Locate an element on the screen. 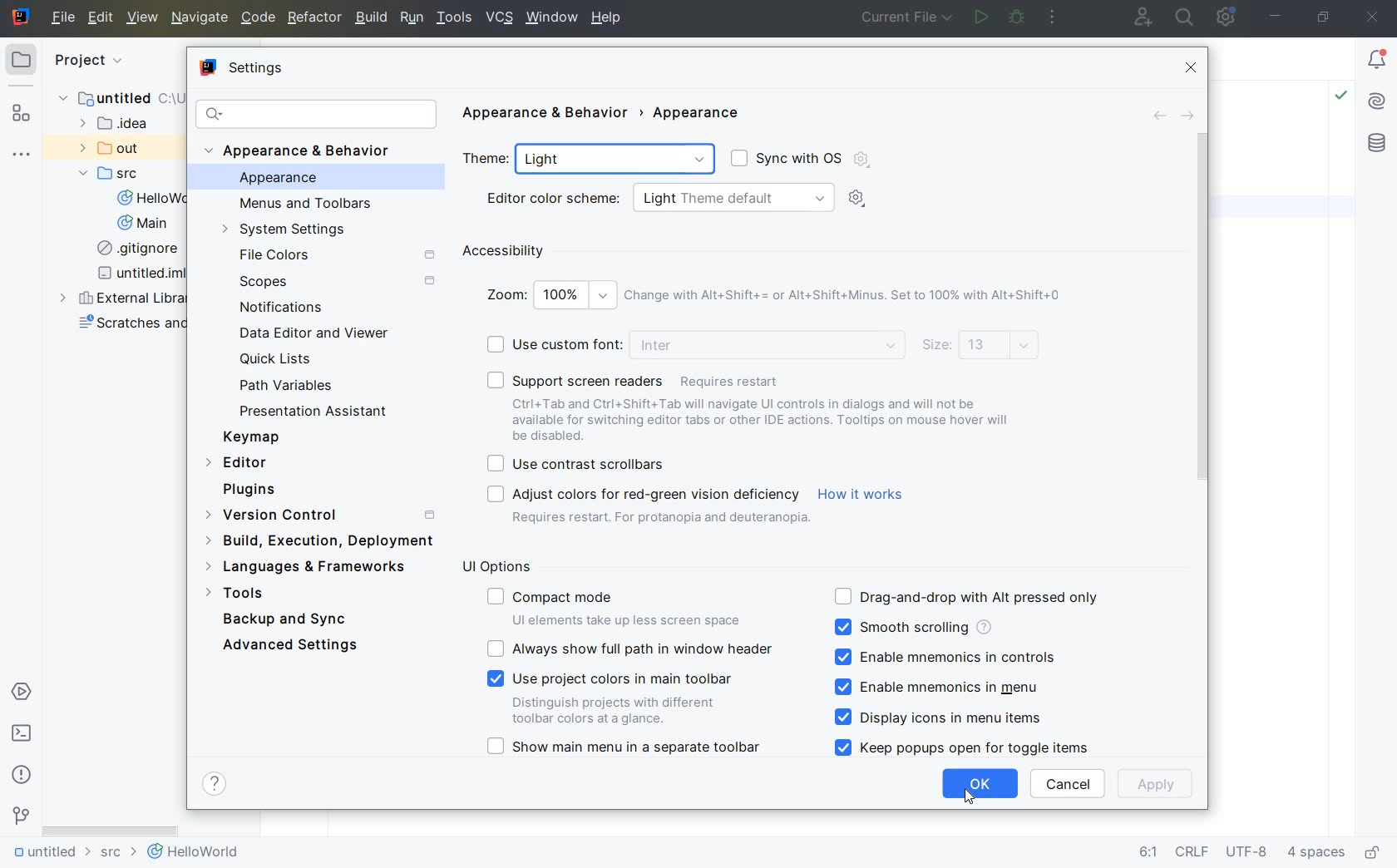 This screenshot has width=1397, height=868. PLUGINS is located at coordinates (262, 491).